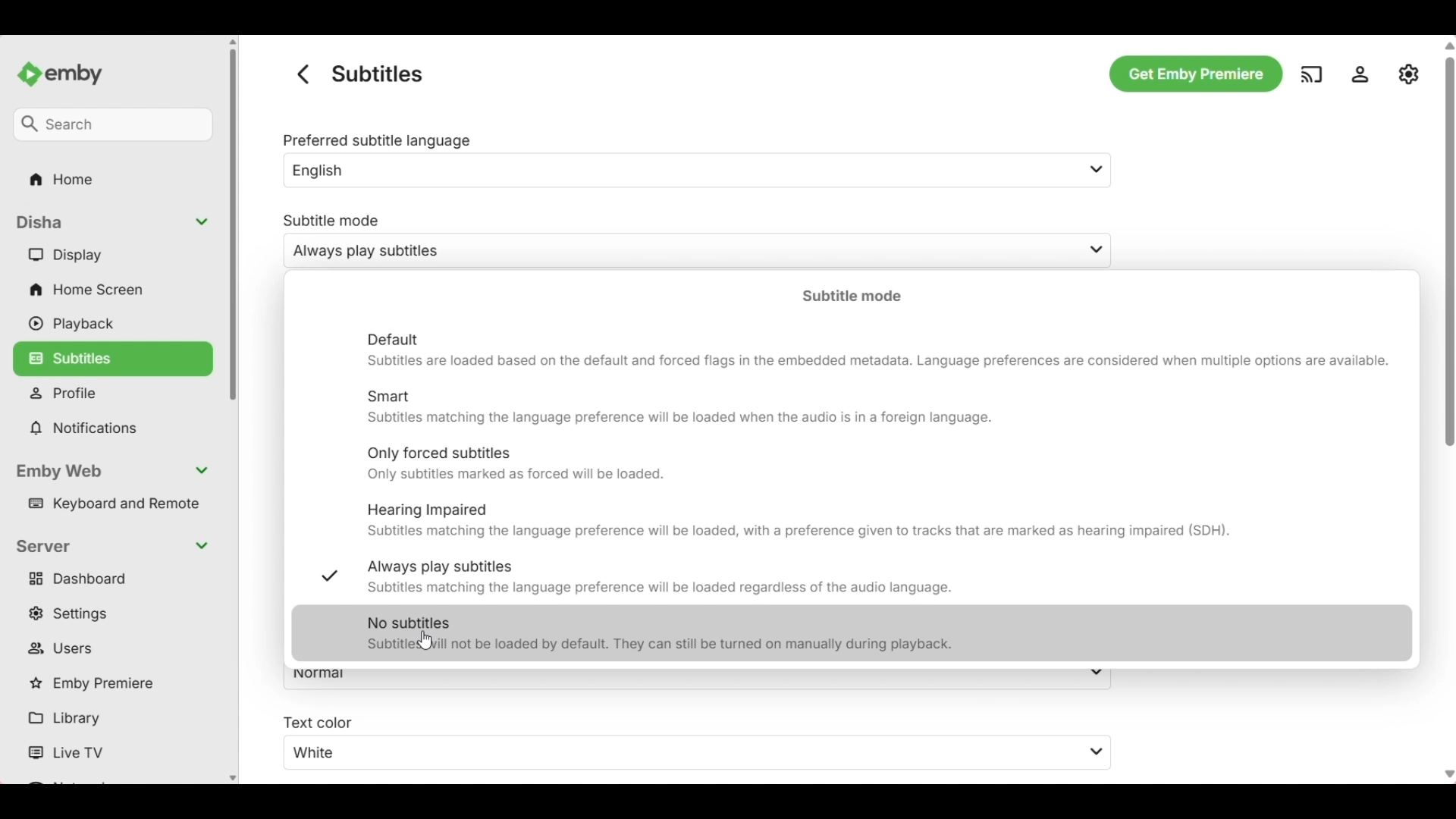  What do you see at coordinates (117, 396) in the screenshot?
I see `Profile` at bounding box center [117, 396].